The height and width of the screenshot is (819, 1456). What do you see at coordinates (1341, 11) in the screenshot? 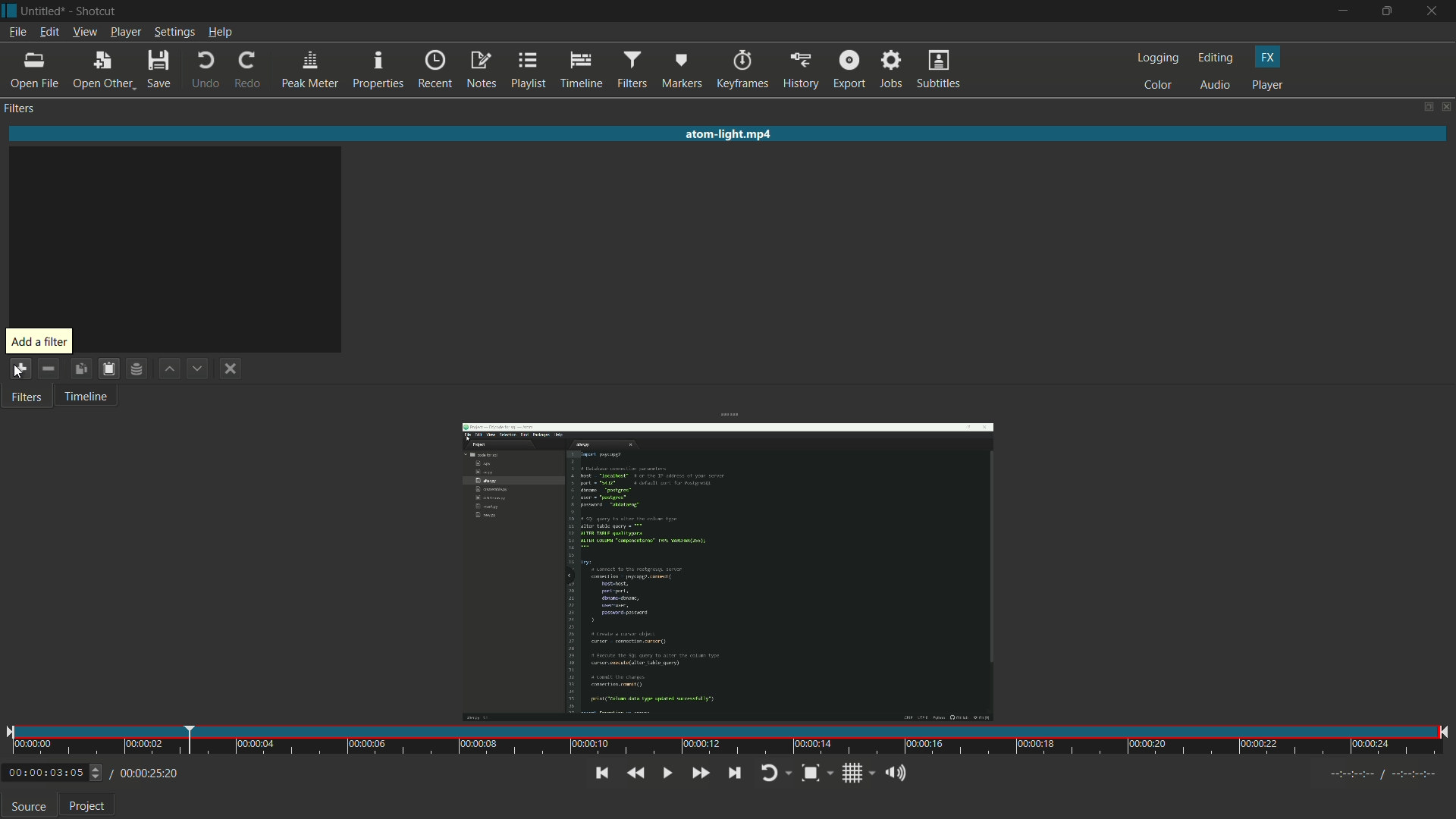
I see `minimize` at bounding box center [1341, 11].